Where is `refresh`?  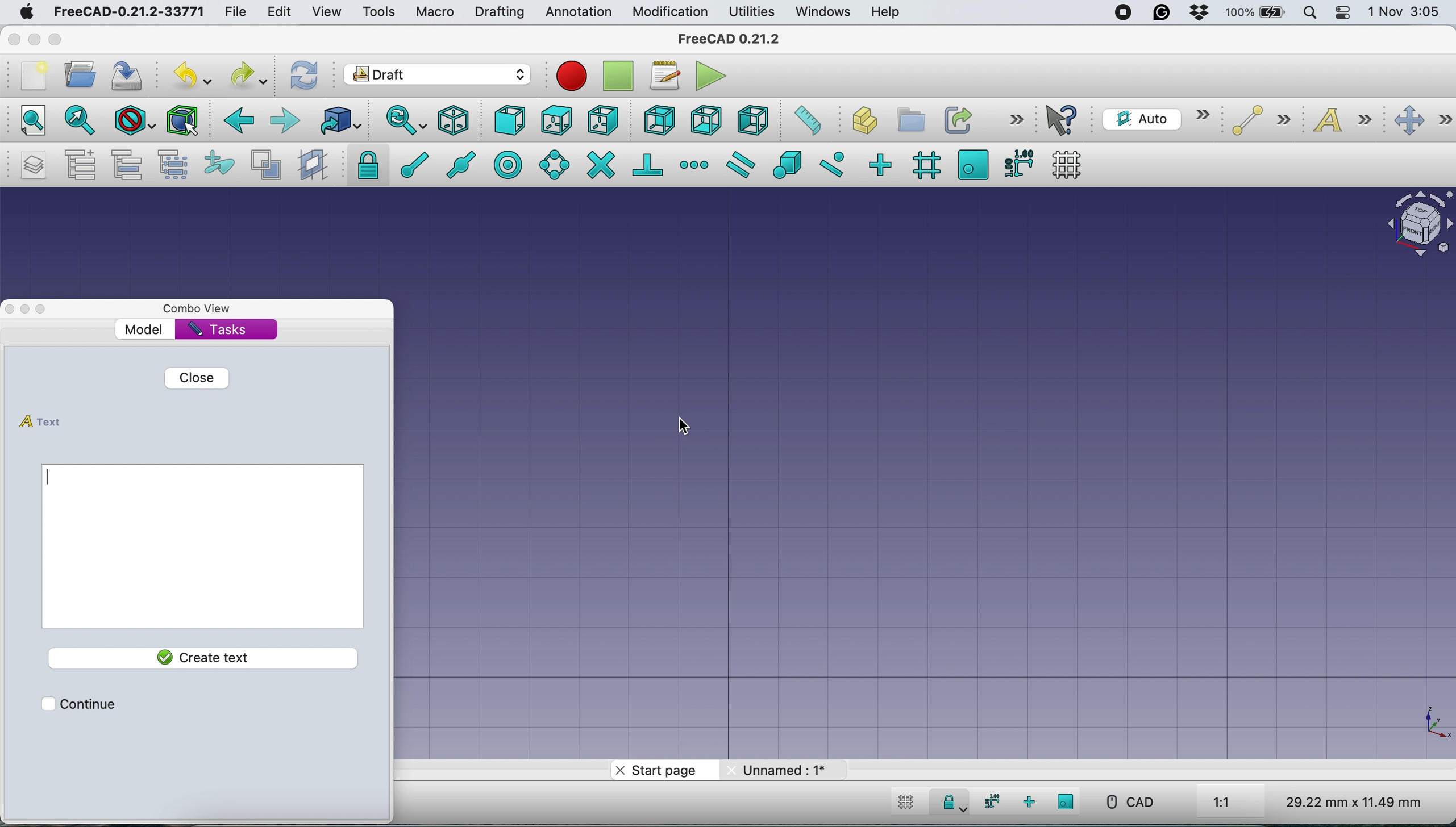
refresh is located at coordinates (302, 74).